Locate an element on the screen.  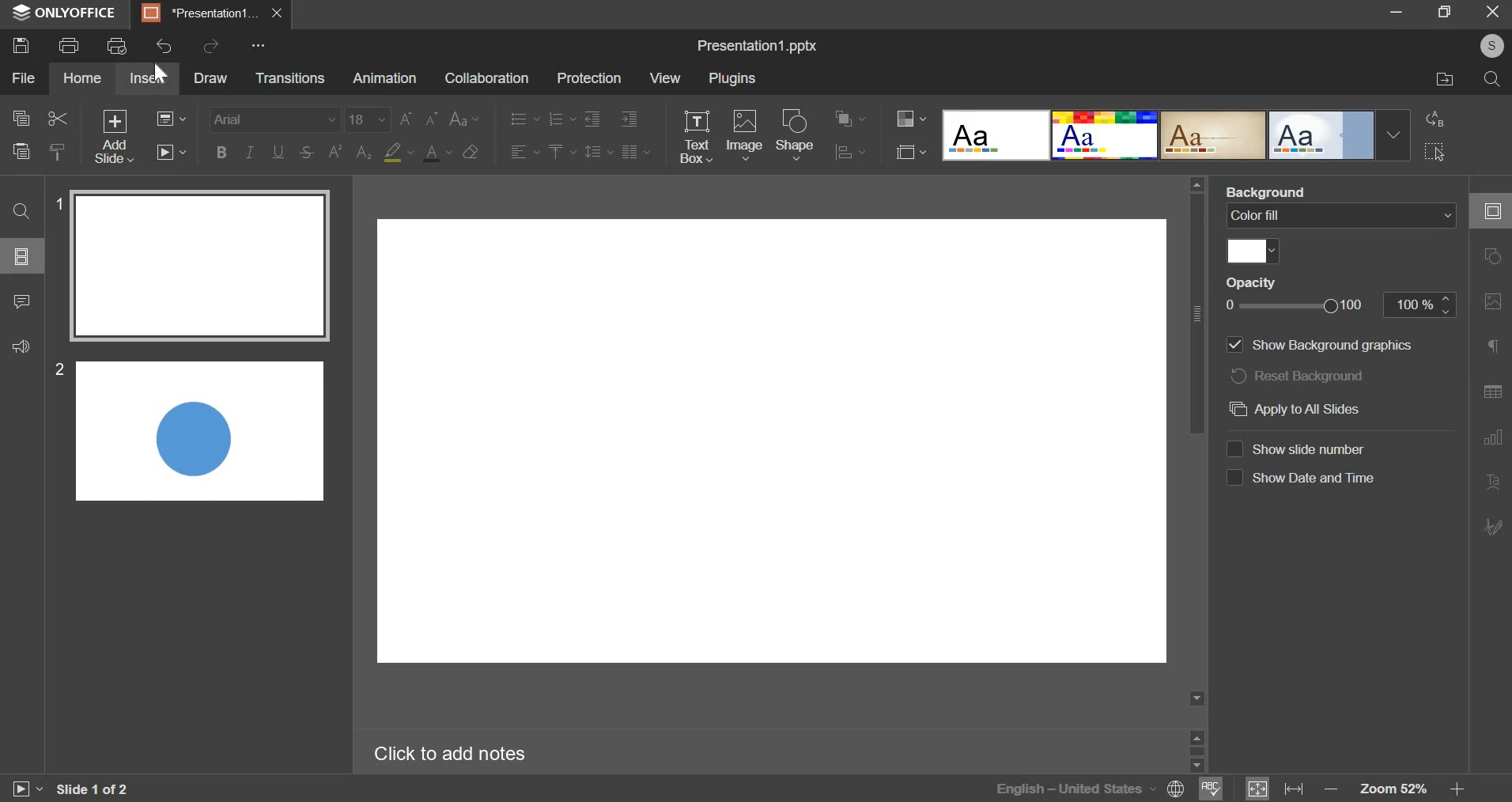
spell check is located at coordinates (1211, 789).